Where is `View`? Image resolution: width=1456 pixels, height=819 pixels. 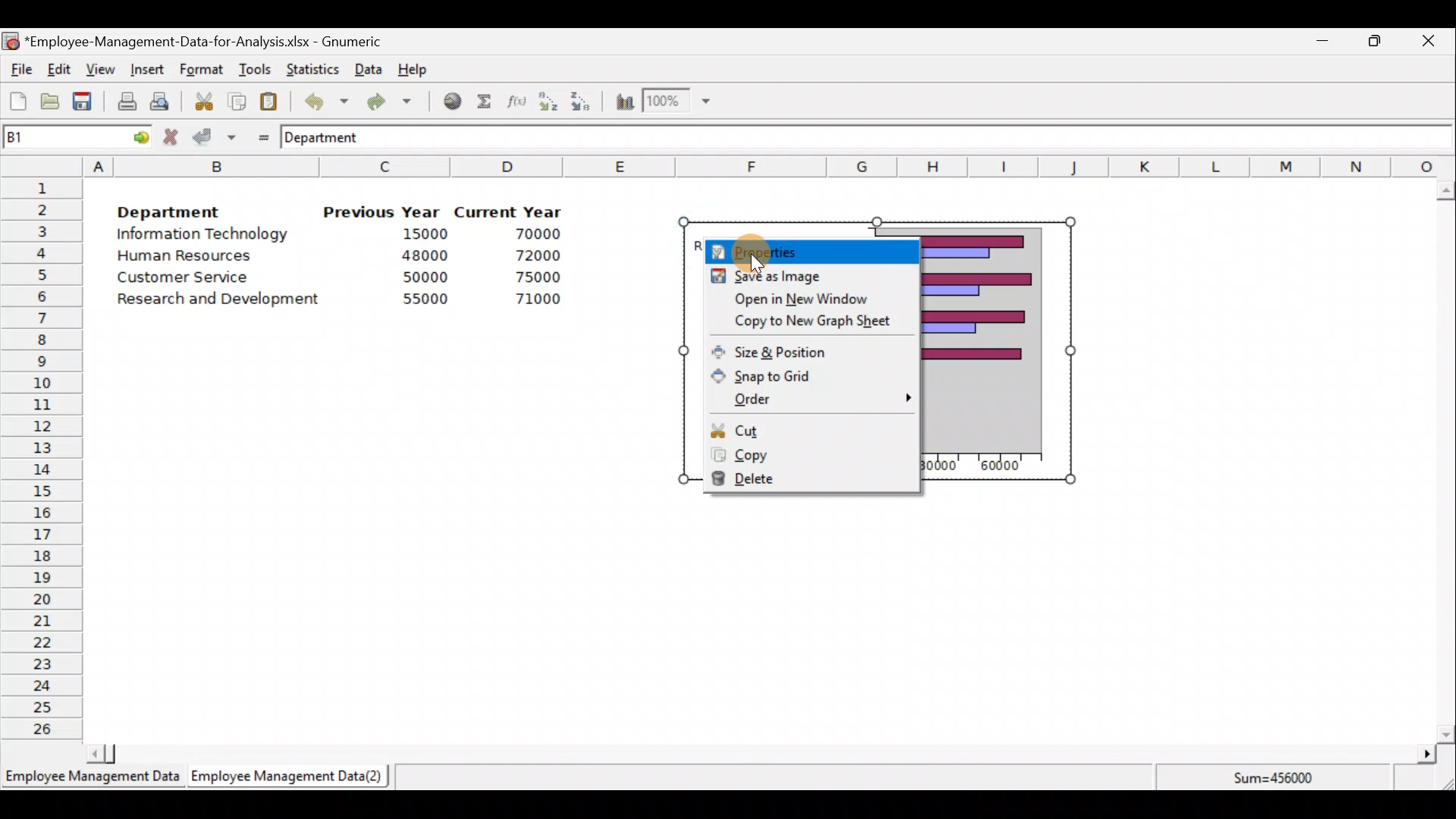 View is located at coordinates (99, 70).